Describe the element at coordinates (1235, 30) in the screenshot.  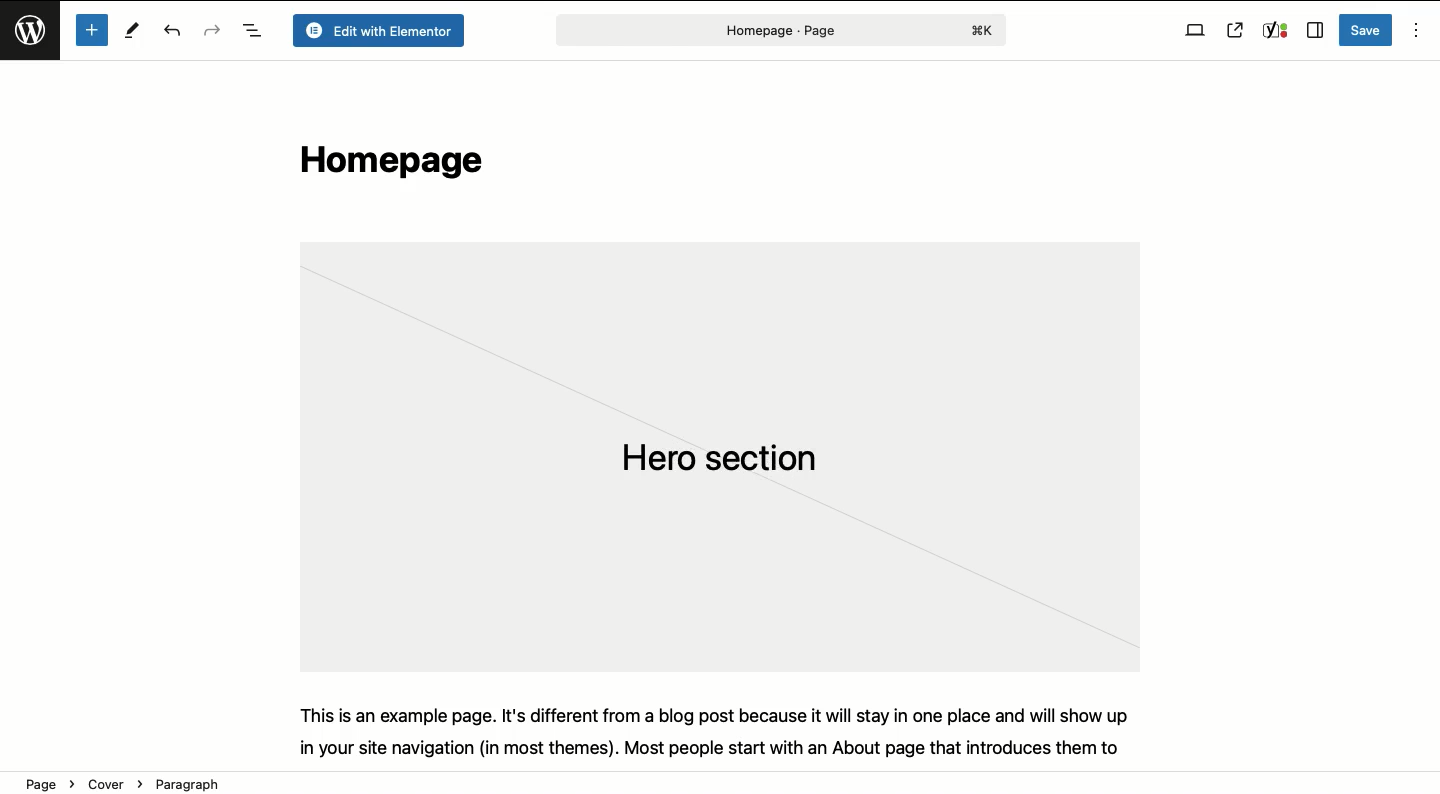
I see `View page` at that location.